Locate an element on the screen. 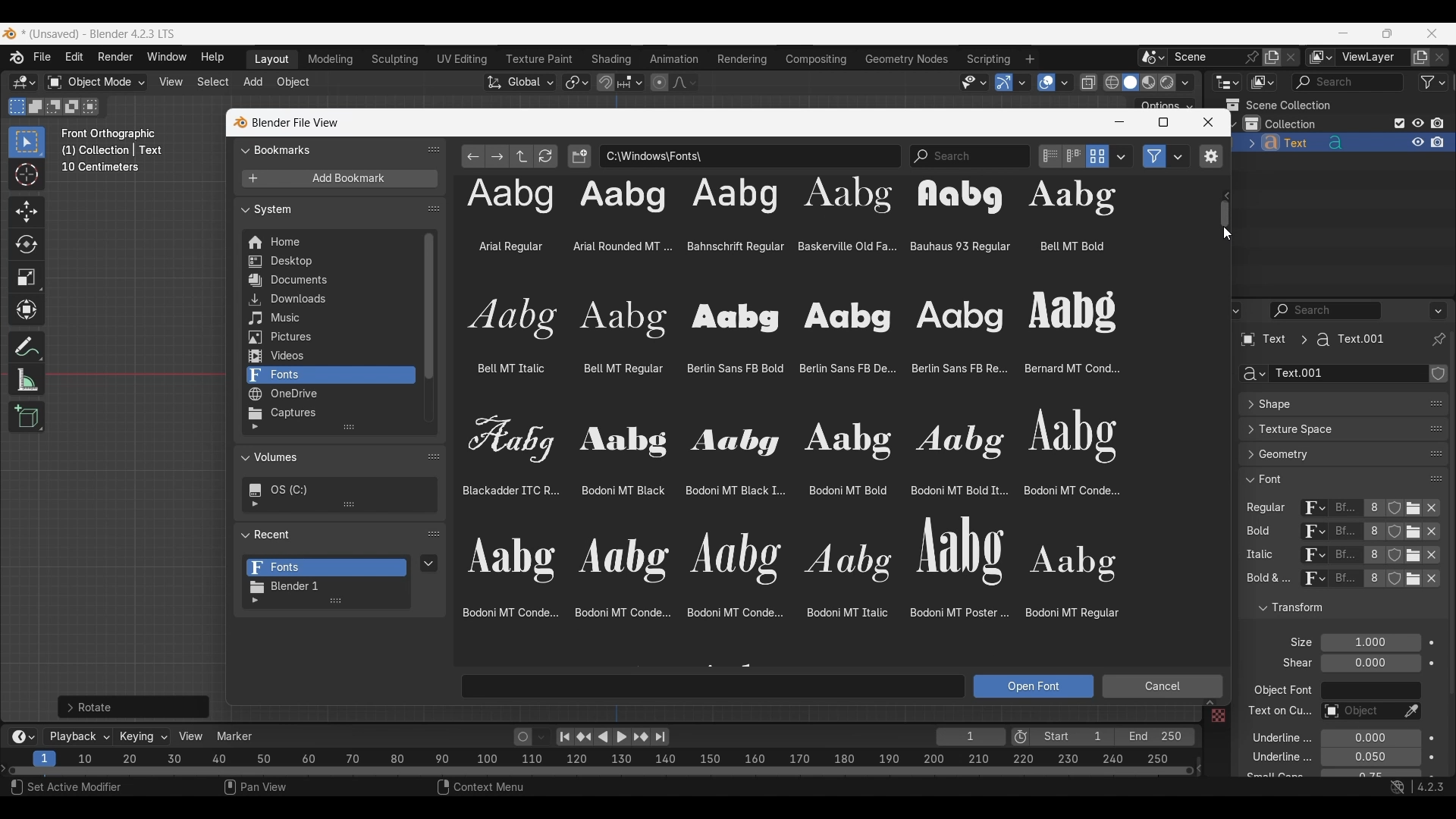  Collection 1 is located at coordinates (1283, 124).